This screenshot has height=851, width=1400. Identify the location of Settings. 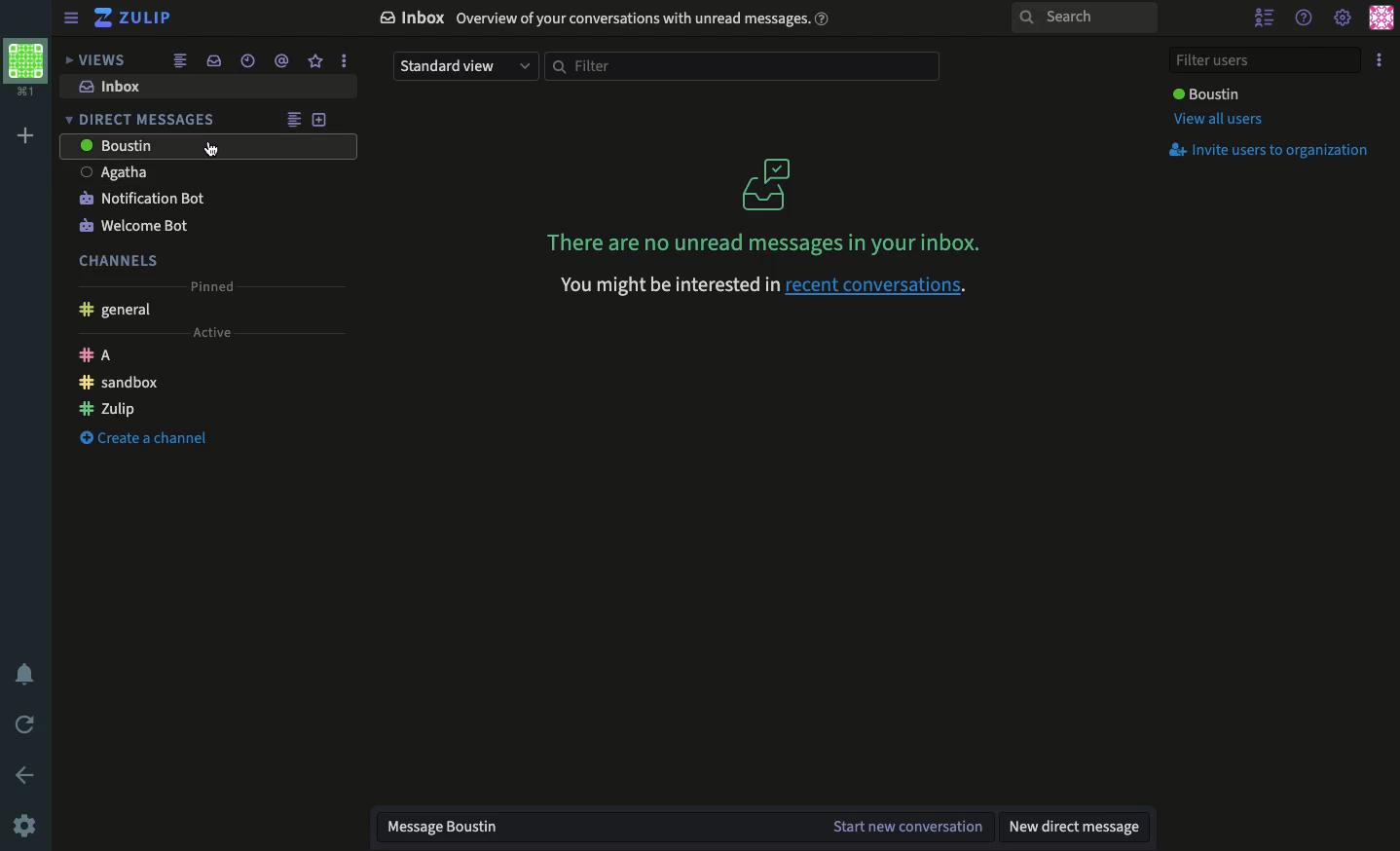
(27, 825).